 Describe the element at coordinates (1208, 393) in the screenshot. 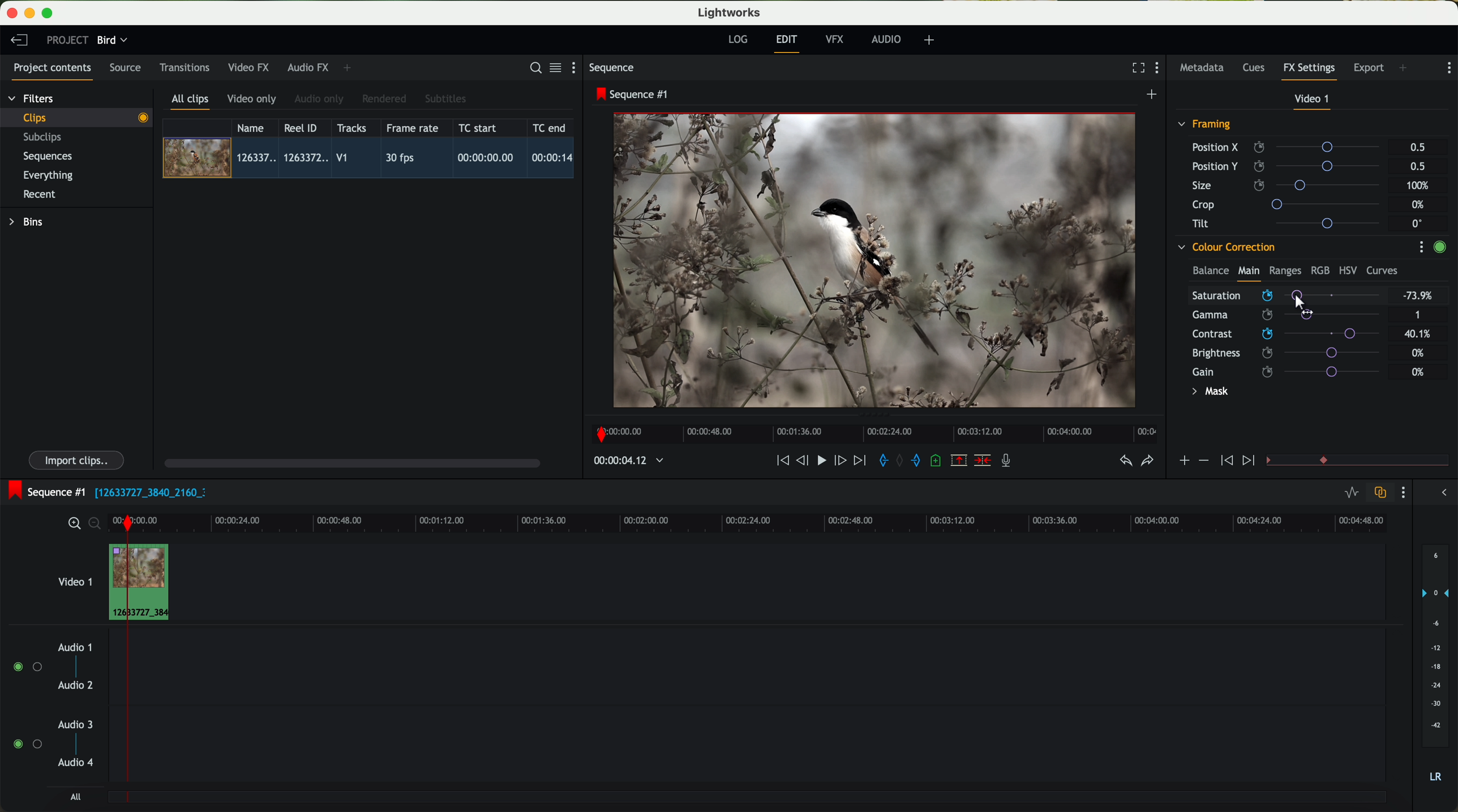

I see `mask` at that location.